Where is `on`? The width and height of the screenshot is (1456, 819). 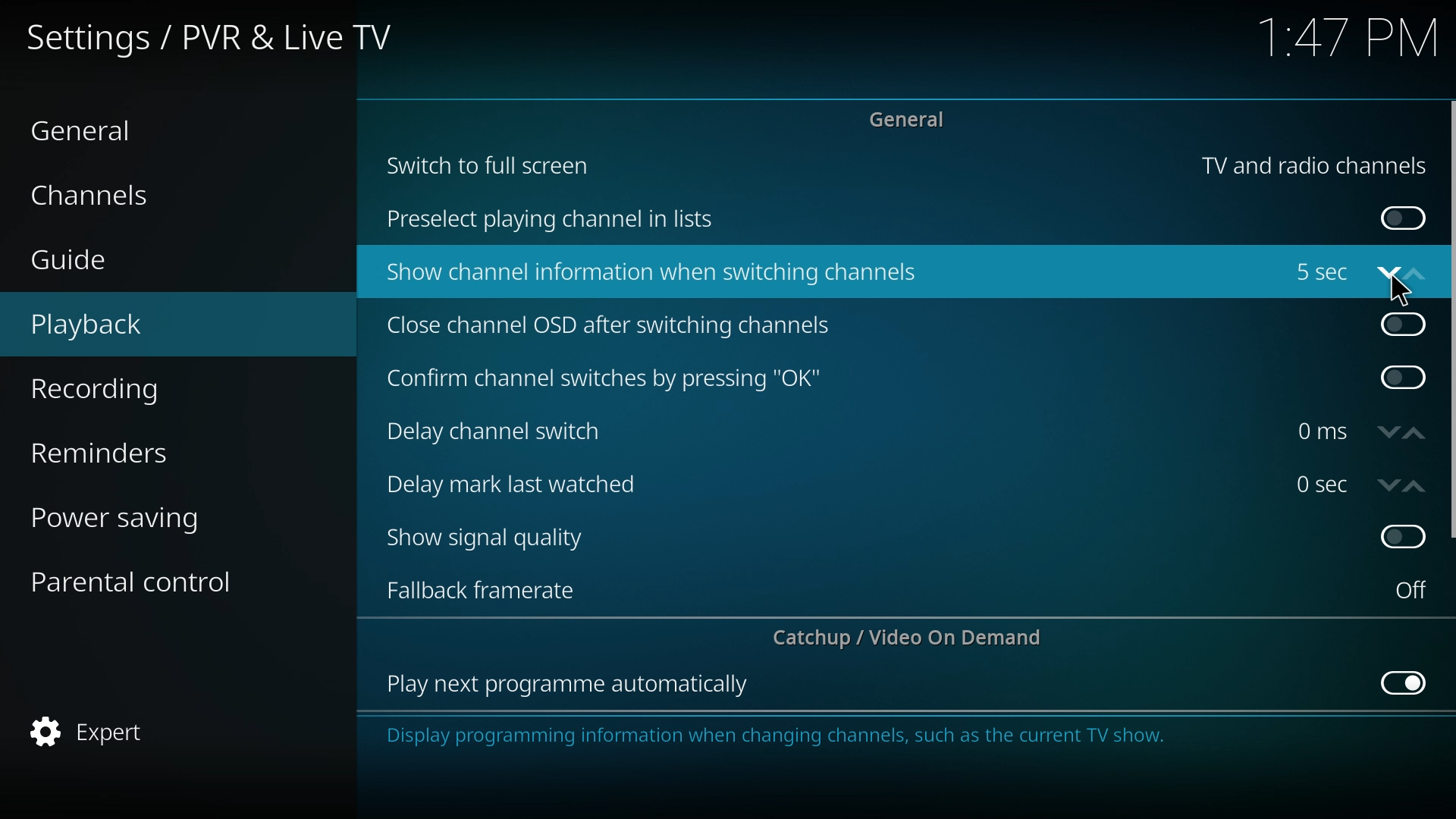
on is located at coordinates (1411, 590).